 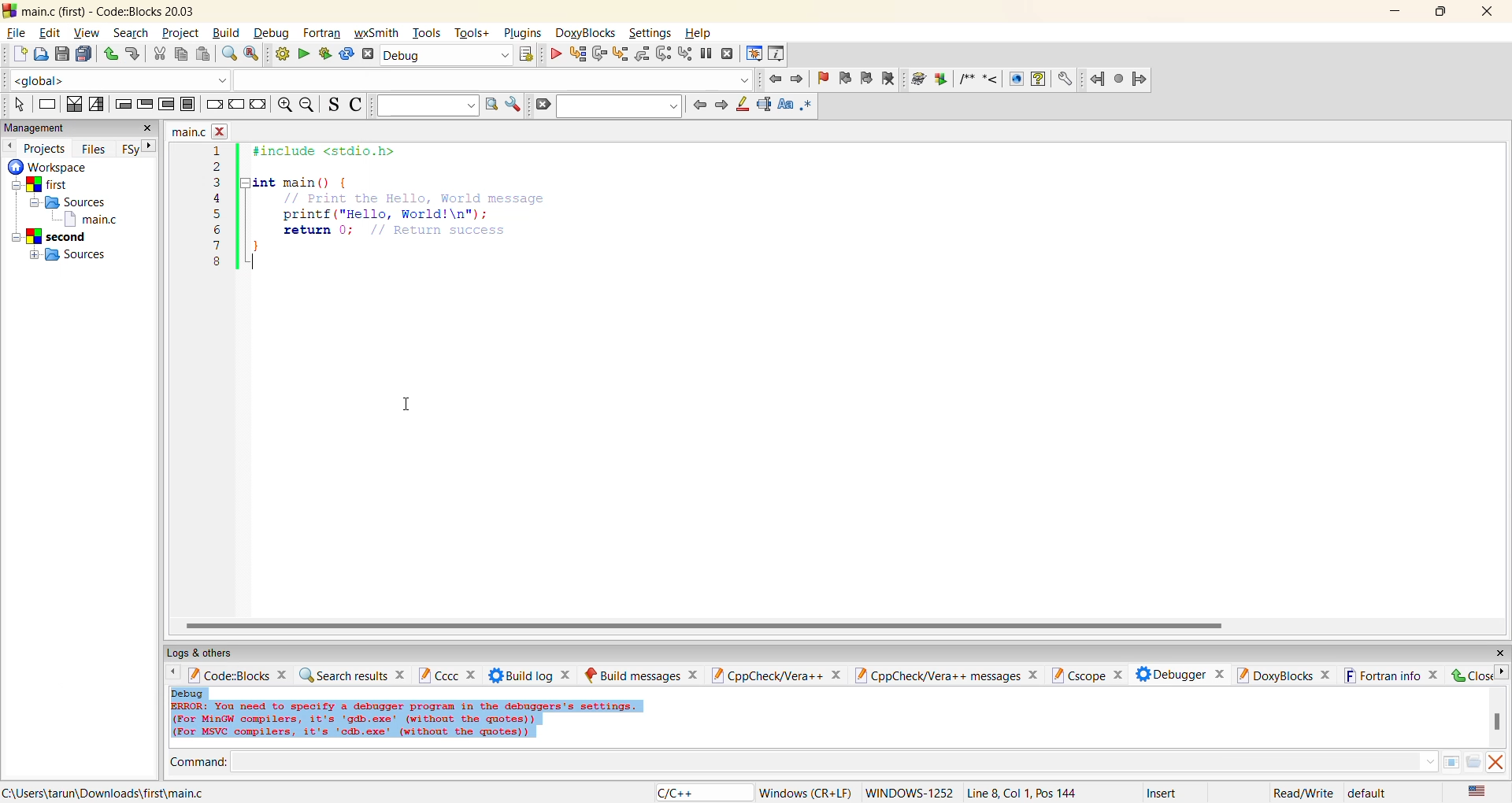 I want to click on Windows (CR+LF), so click(x=807, y=791).